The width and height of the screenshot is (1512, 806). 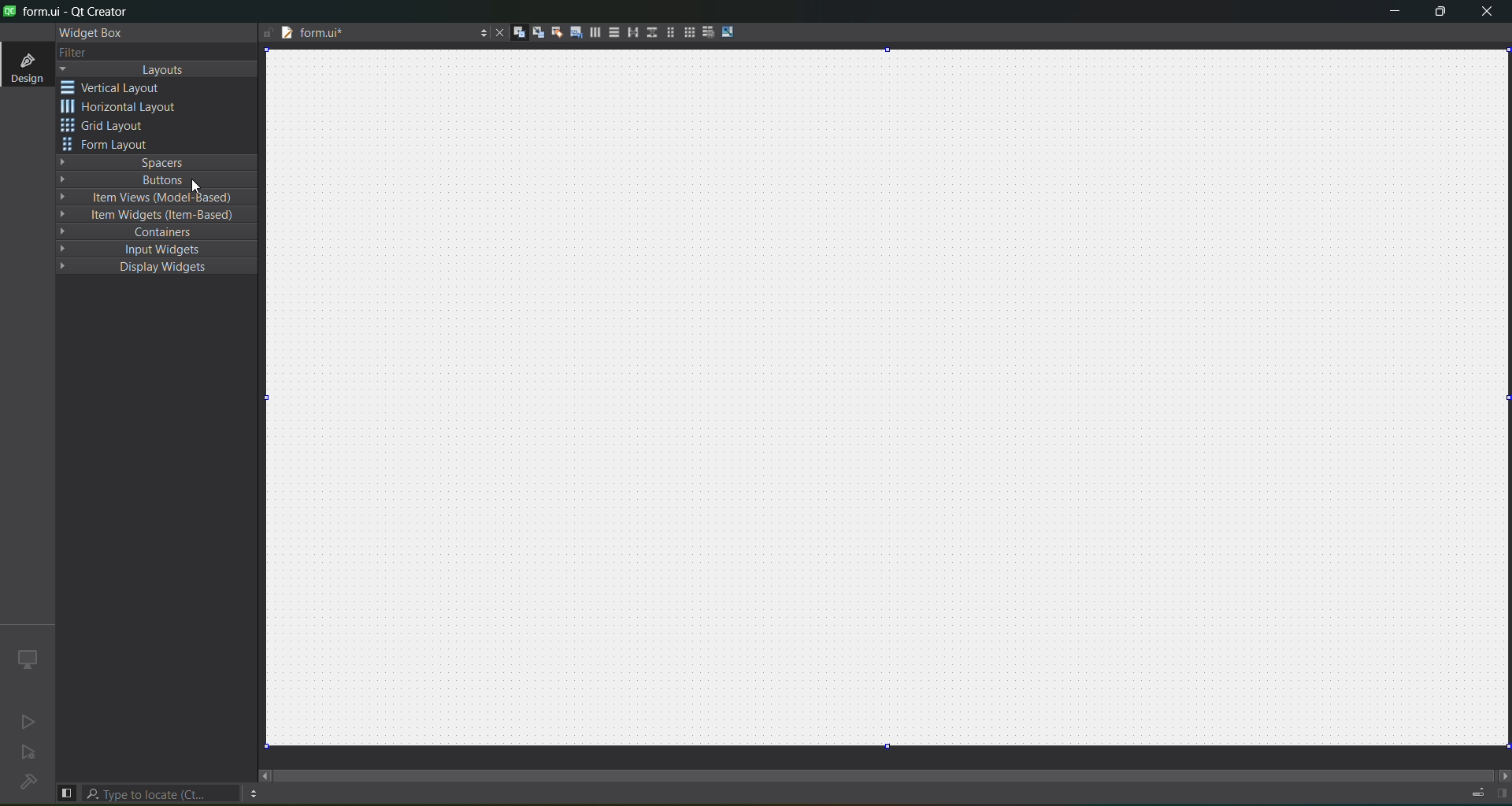 I want to click on icon, so click(x=26, y=658).